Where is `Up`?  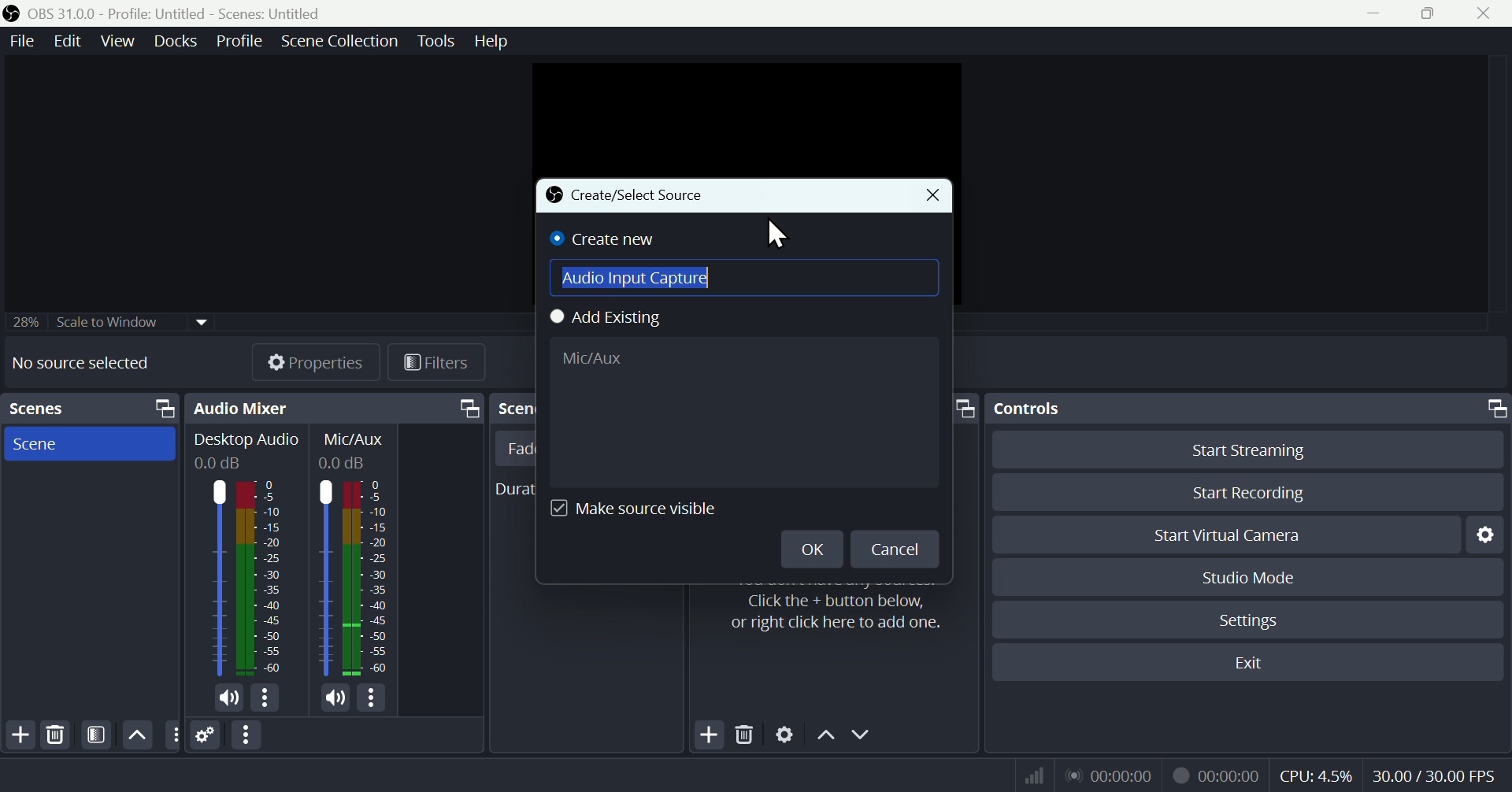
Up is located at coordinates (135, 735).